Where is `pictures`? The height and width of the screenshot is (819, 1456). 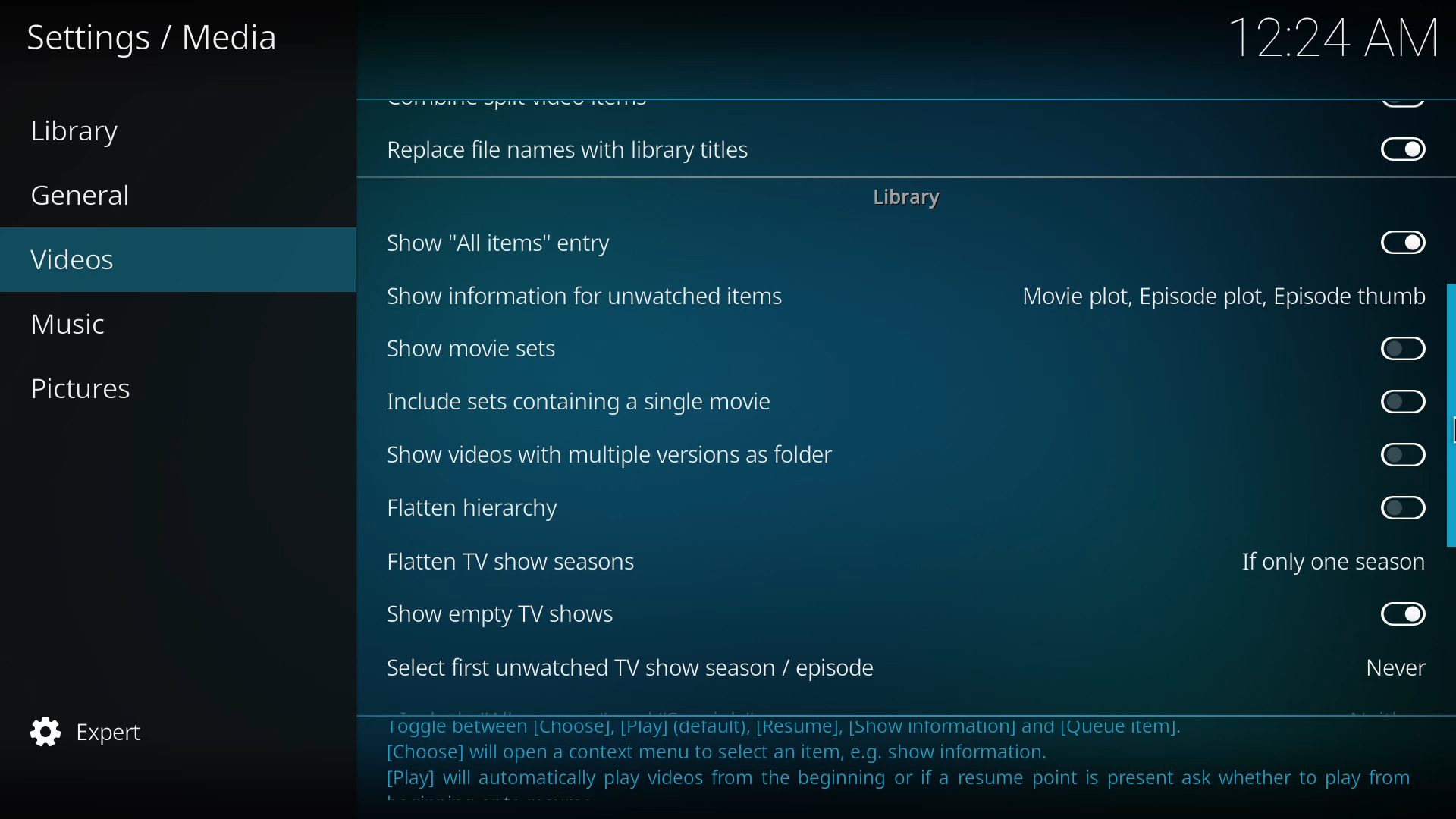 pictures is located at coordinates (89, 388).